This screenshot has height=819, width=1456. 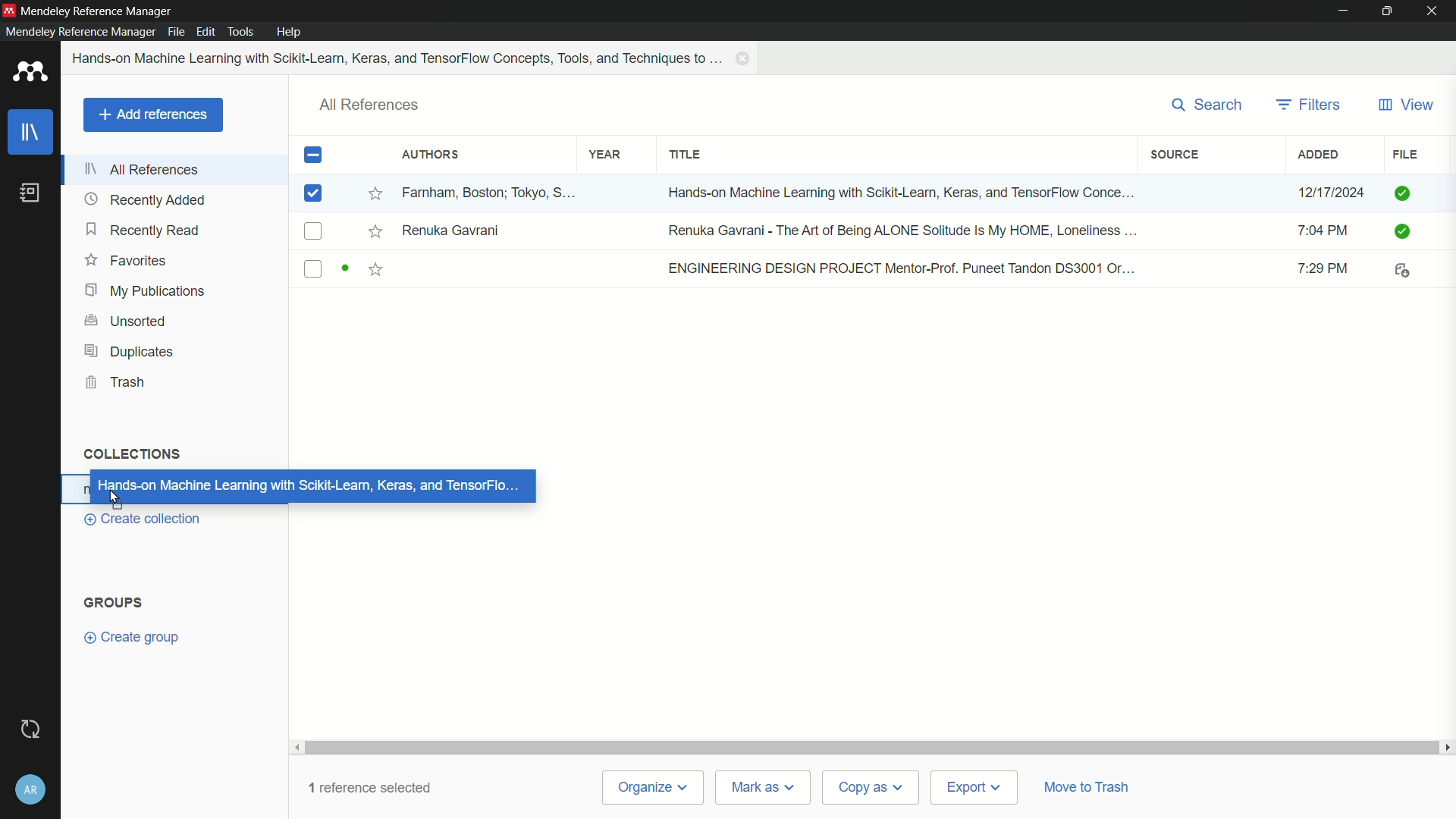 I want to click on source, so click(x=1176, y=154).